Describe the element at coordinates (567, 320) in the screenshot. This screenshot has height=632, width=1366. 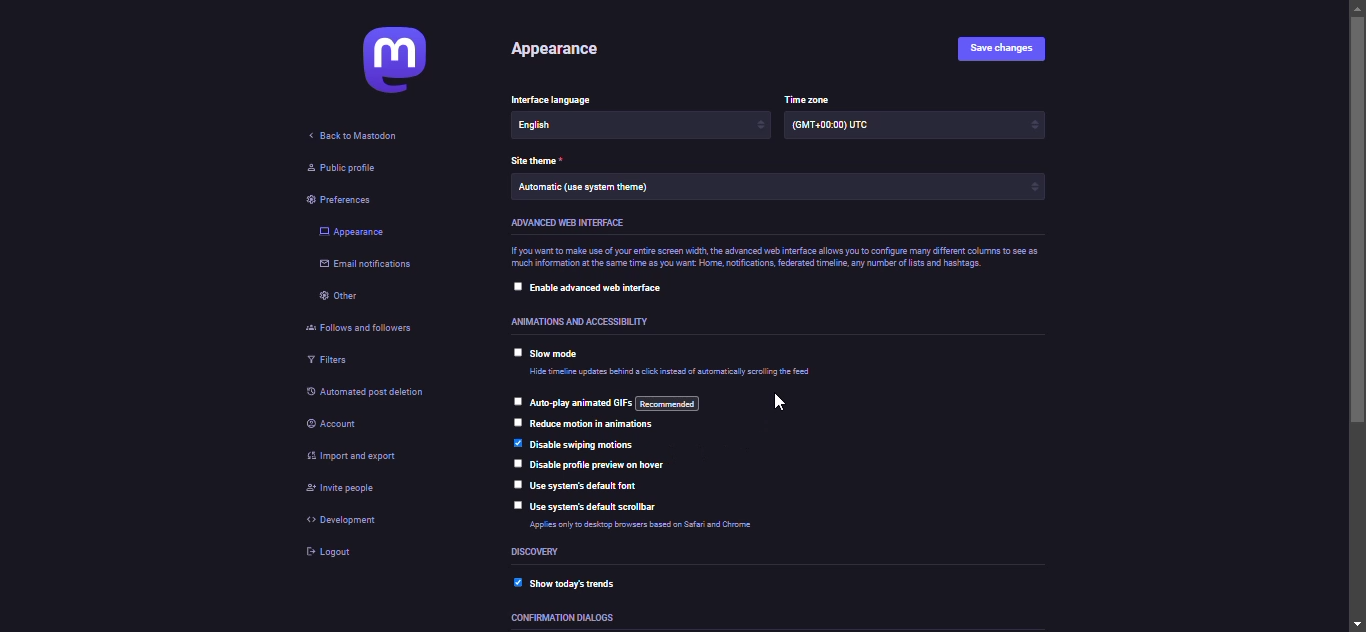
I see `accessibility` at that location.